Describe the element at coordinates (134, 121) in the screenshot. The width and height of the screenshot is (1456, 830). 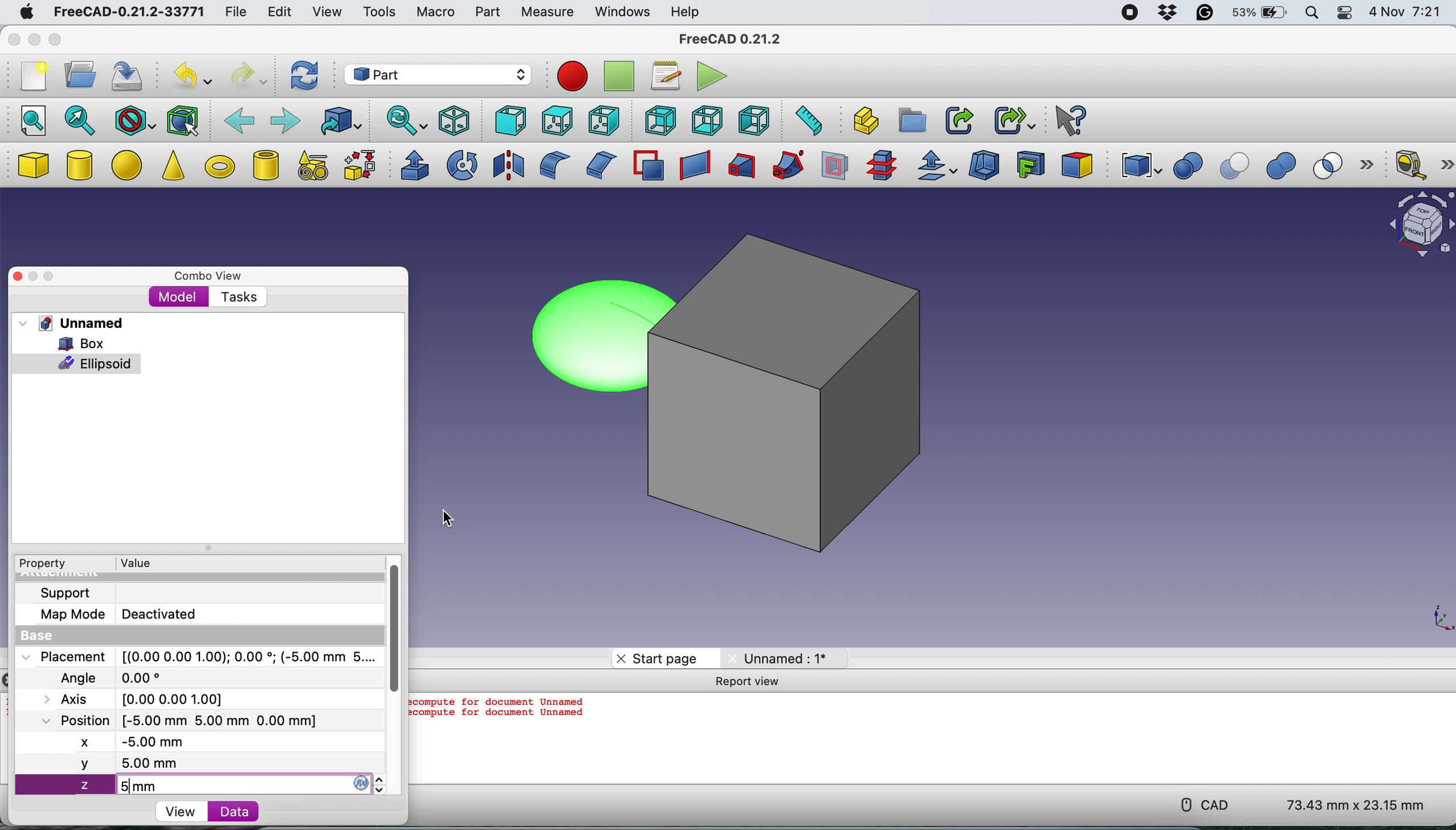
I see `draw style` at that location.